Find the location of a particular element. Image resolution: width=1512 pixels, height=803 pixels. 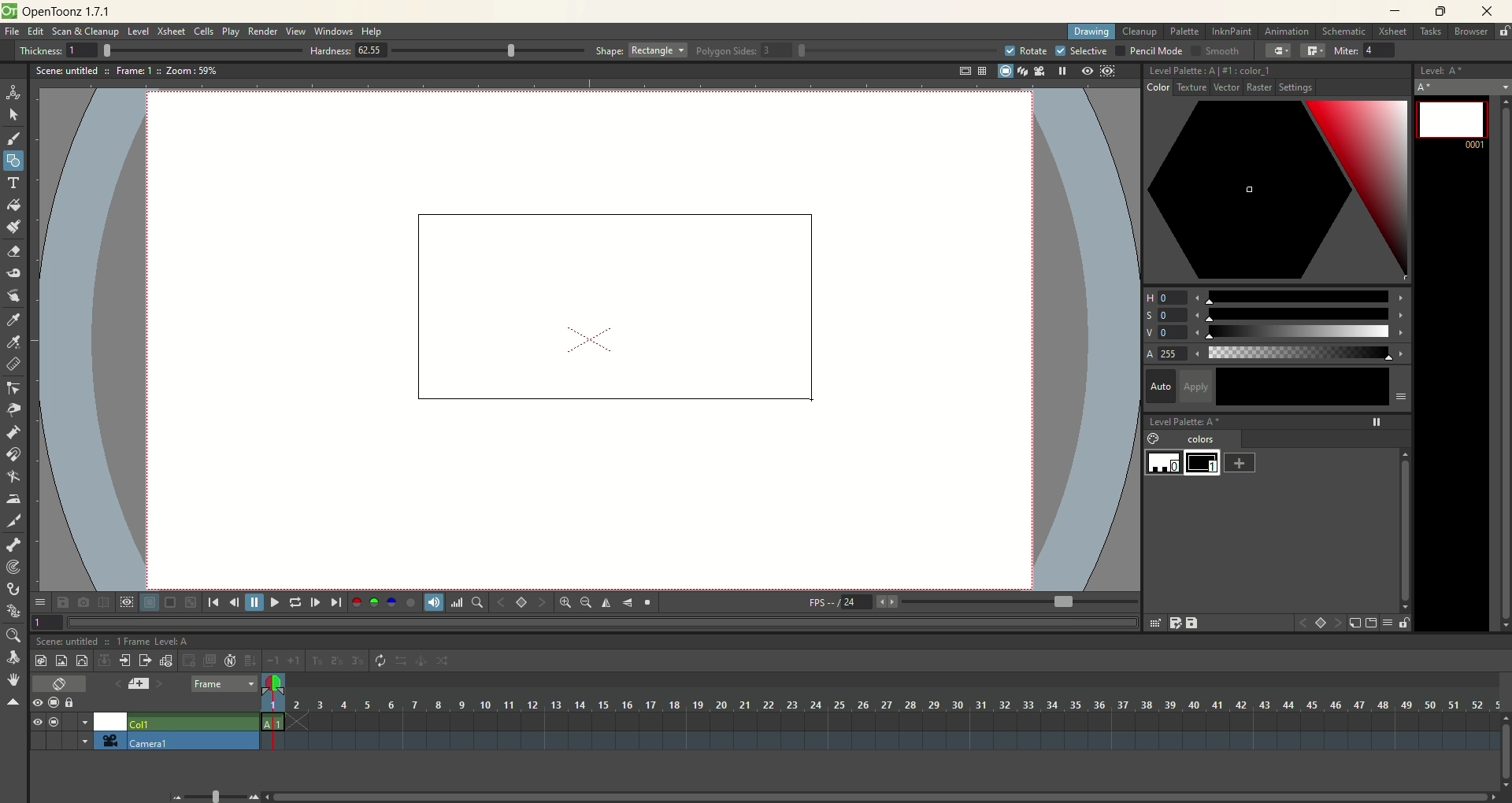

snapchat is located at coordinates (83, 602).